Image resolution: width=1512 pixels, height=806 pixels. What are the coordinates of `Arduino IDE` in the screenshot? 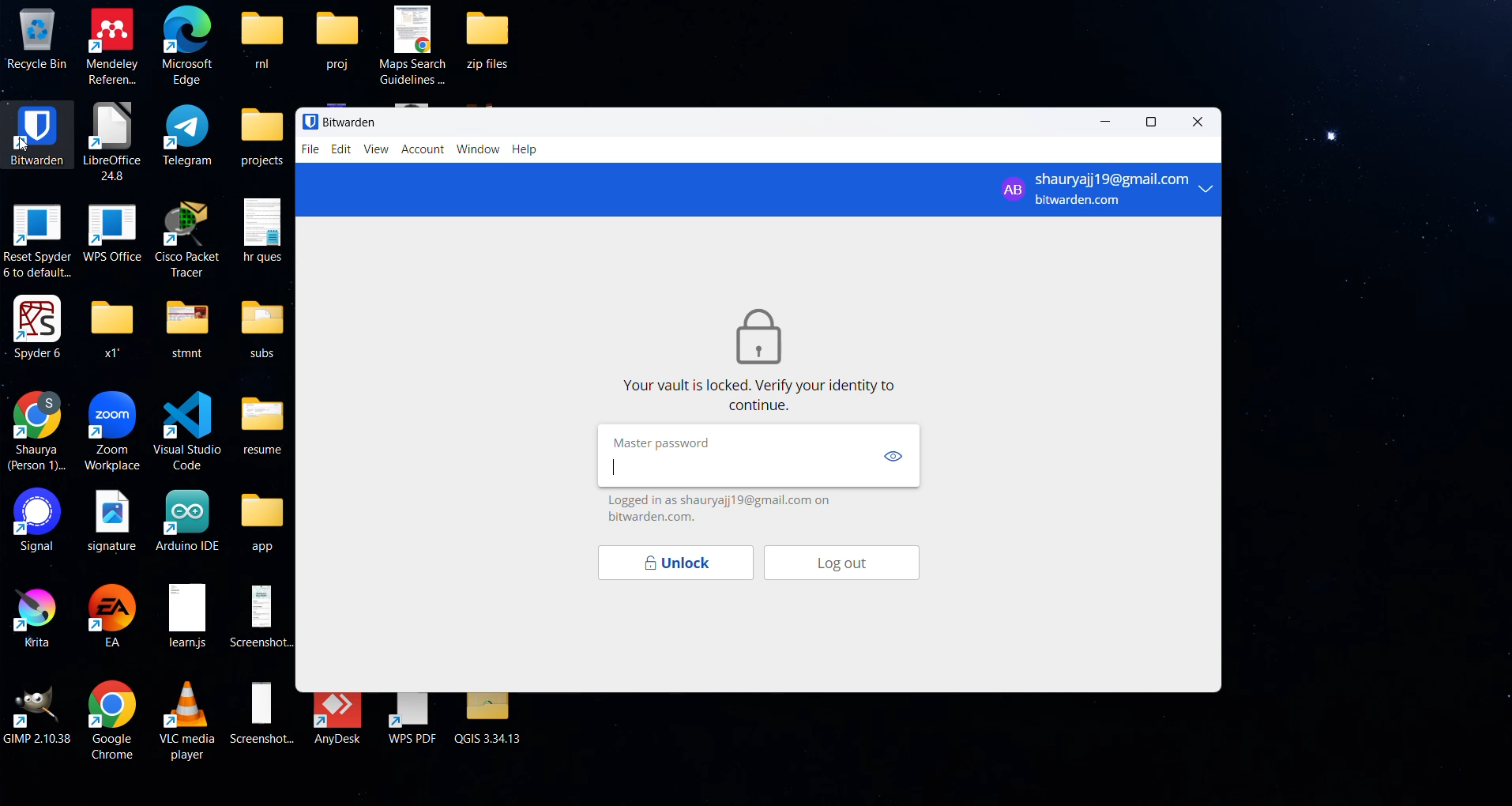 It's located at (188, 519).